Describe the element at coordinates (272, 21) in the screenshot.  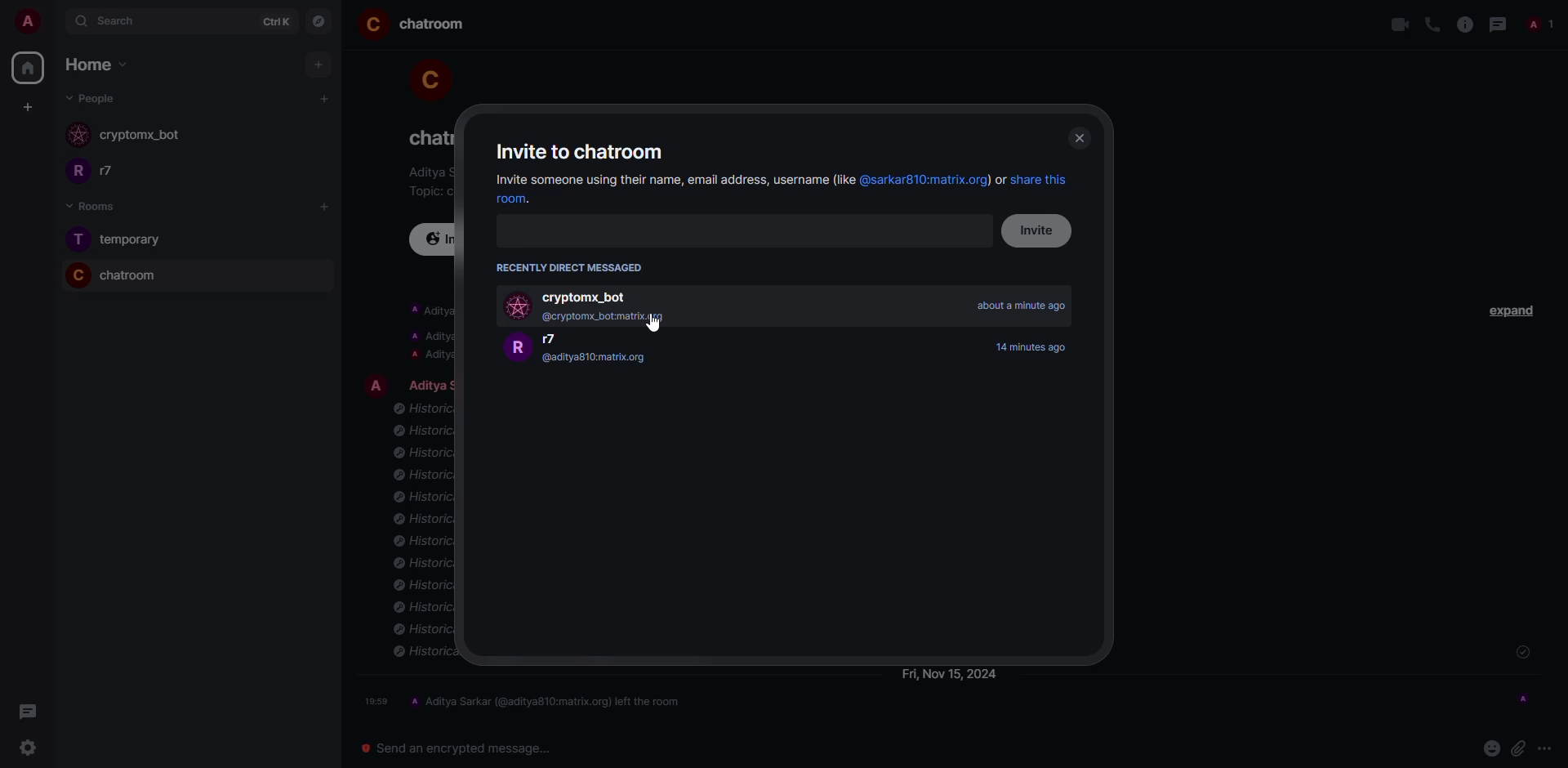
I see `ctrlK` at that location.